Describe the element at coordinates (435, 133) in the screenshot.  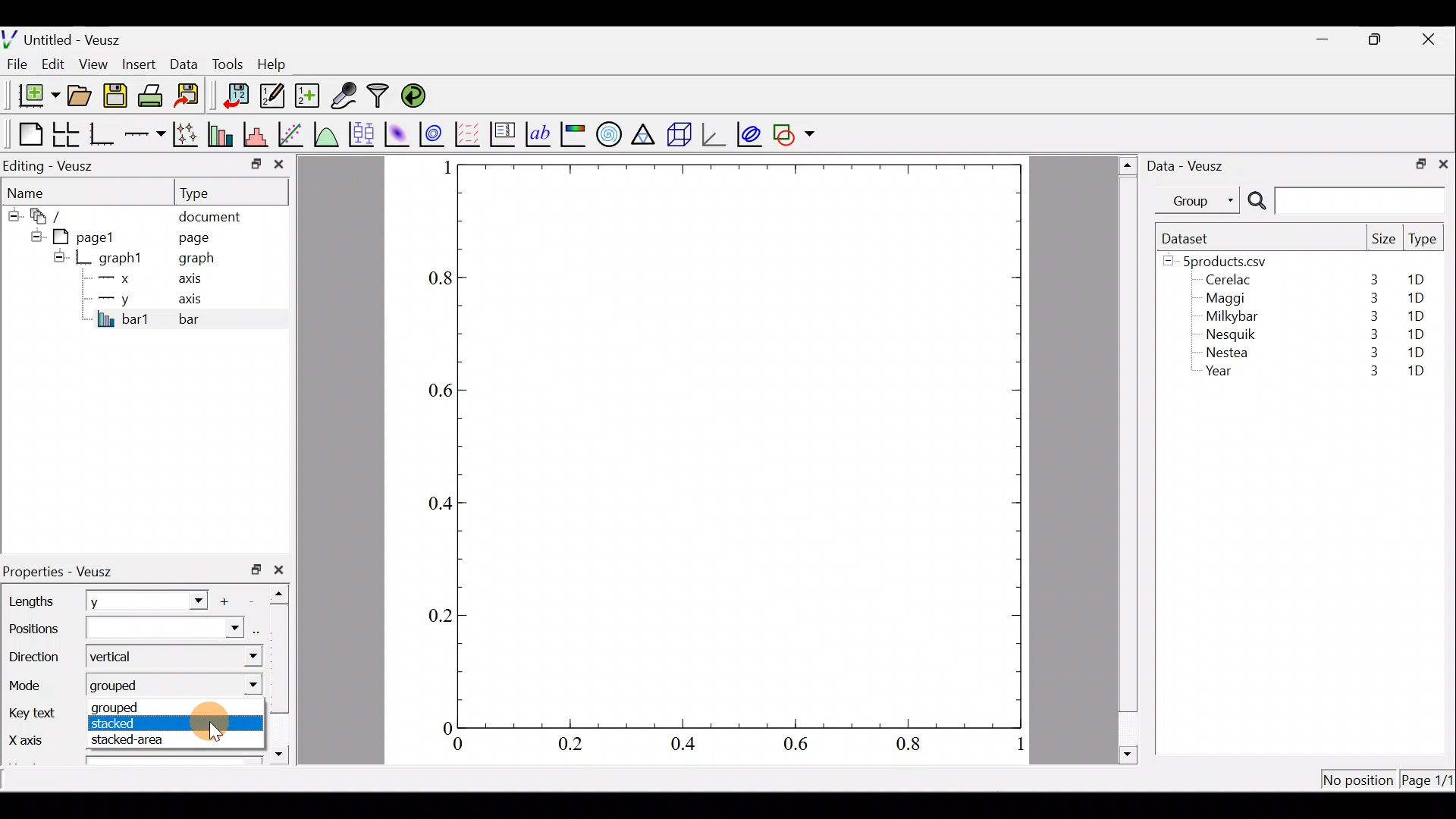
I see `Plot a 2d dataset as contours` at that location.